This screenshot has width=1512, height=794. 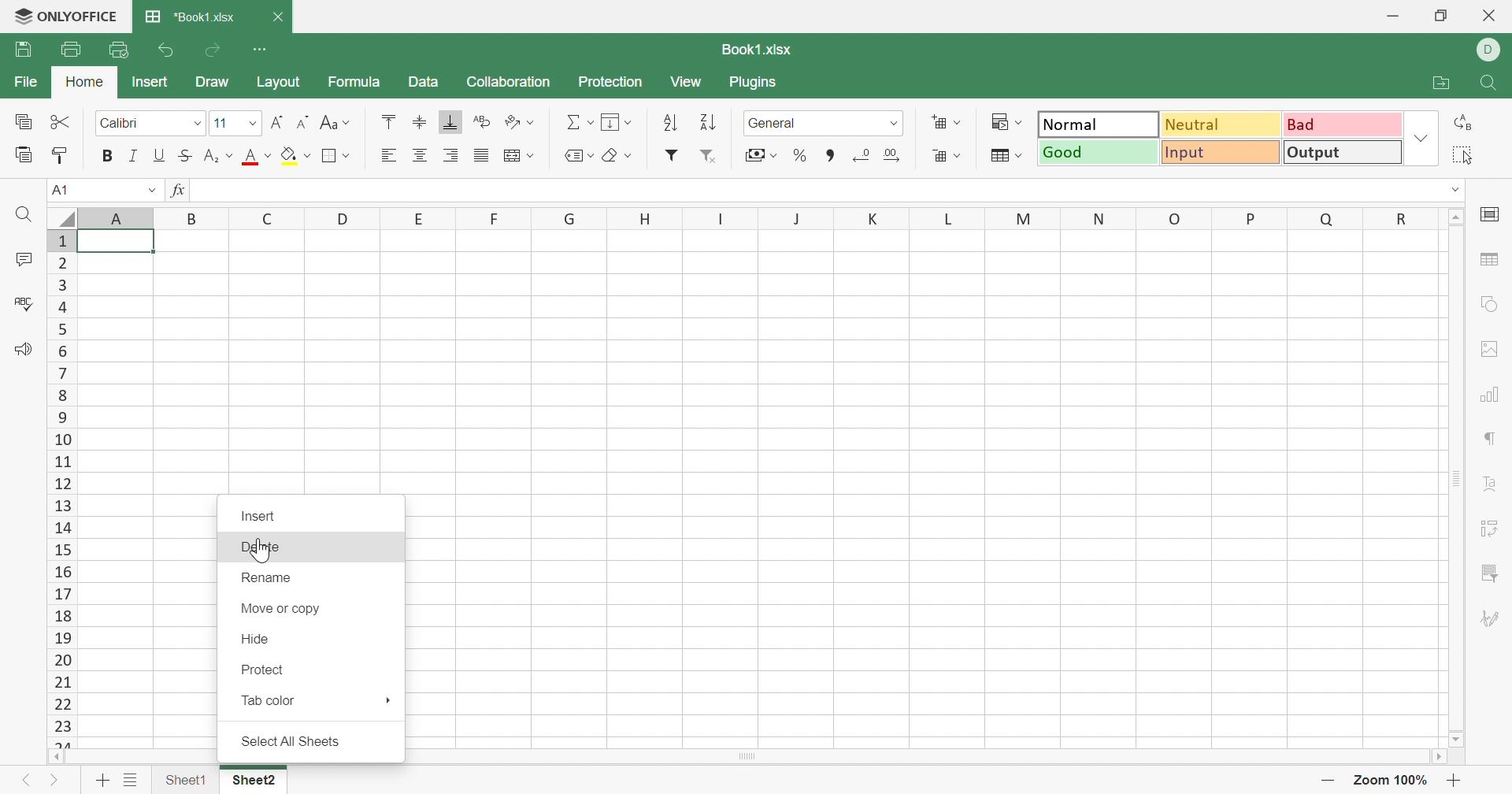 What do you see at coordinates (1491, 479) in the screenshot?
I see `Text Art settings` at bounding box center [1491, 479].